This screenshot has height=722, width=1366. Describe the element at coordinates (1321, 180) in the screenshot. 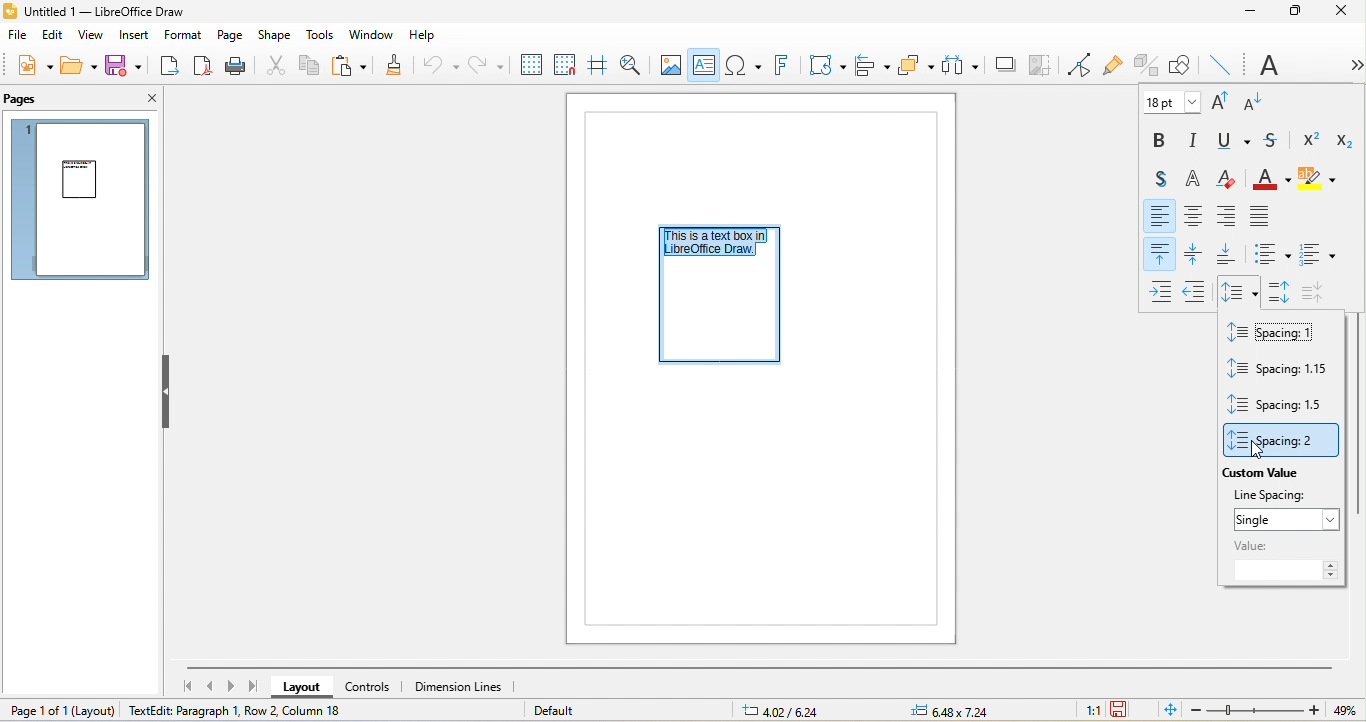

I see `character highlighting color` at that location.